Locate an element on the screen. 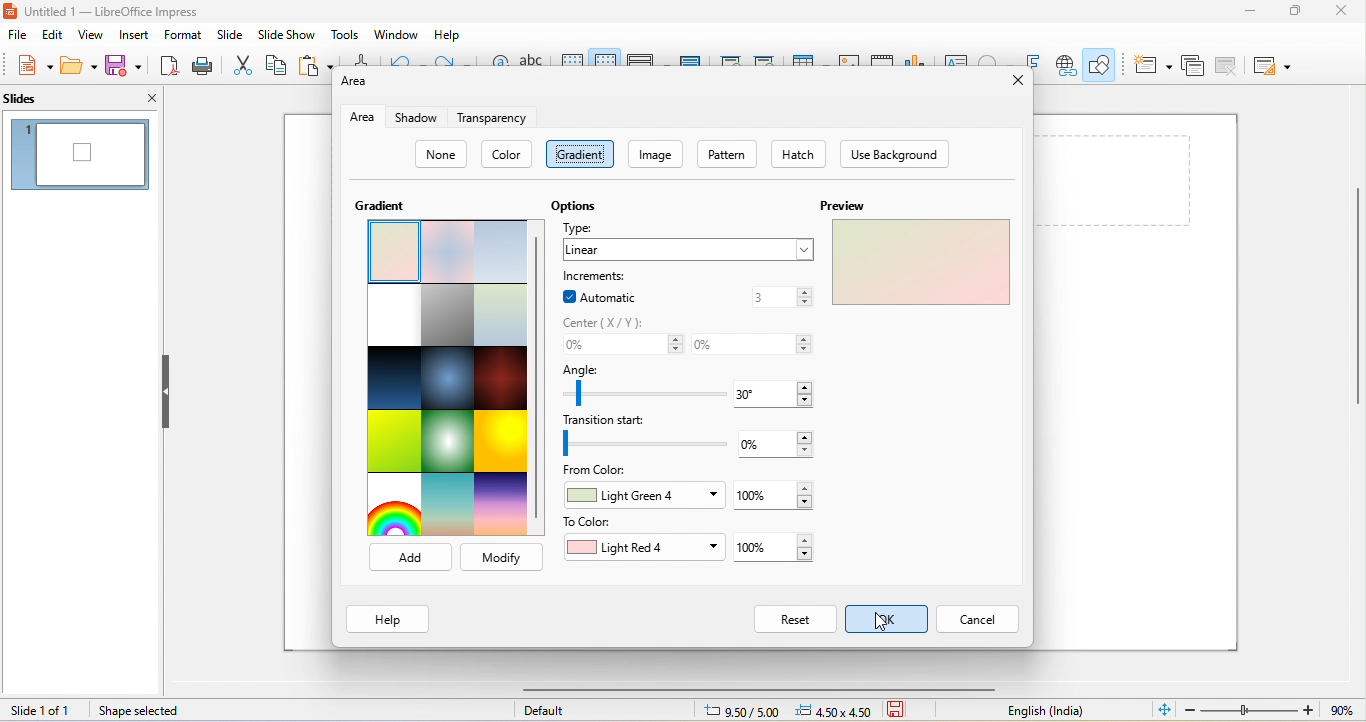  close is located at coordinates (1345, 12).